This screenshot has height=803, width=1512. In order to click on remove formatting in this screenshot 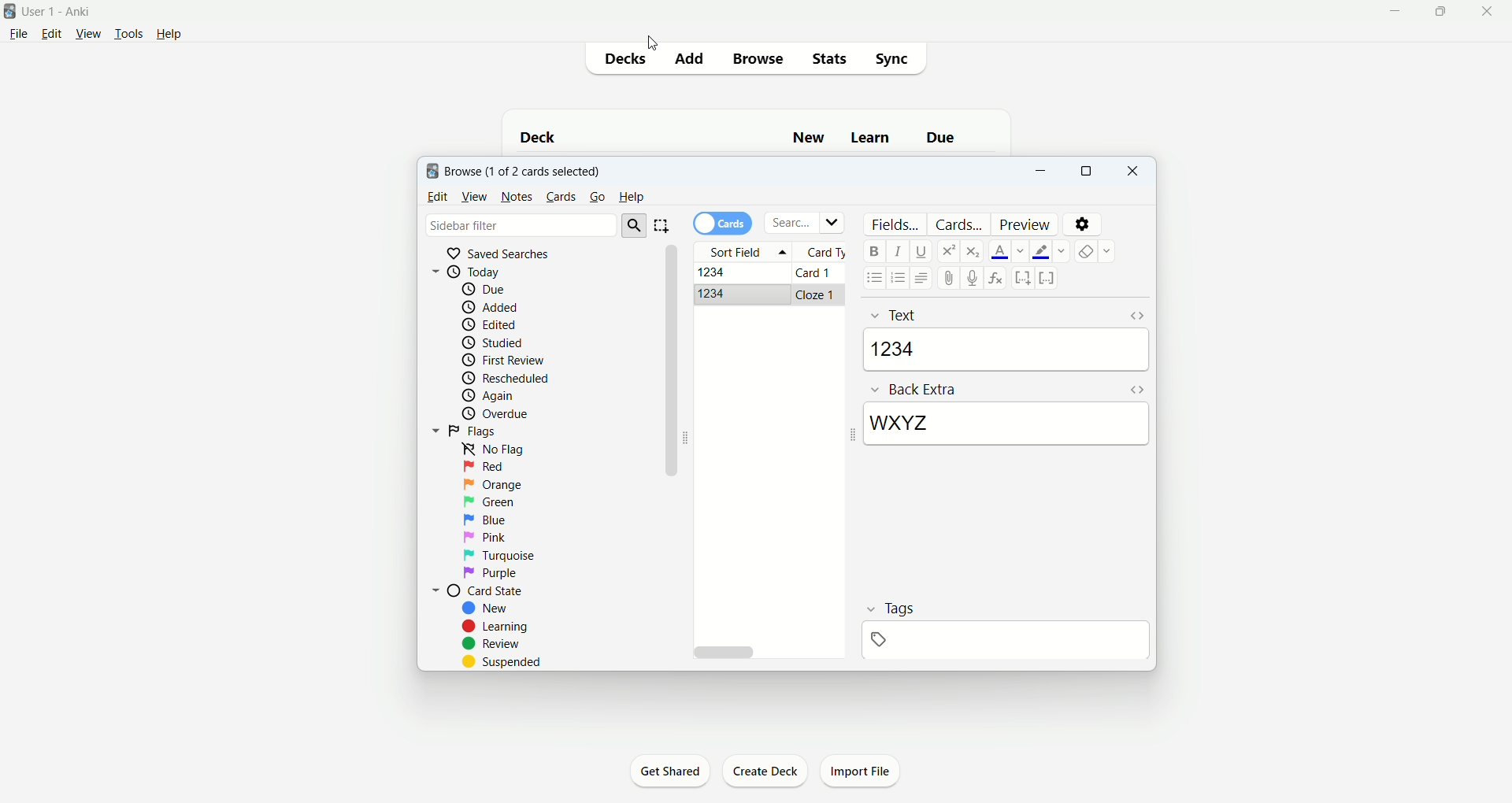, I will do `click(1095, 250)`.